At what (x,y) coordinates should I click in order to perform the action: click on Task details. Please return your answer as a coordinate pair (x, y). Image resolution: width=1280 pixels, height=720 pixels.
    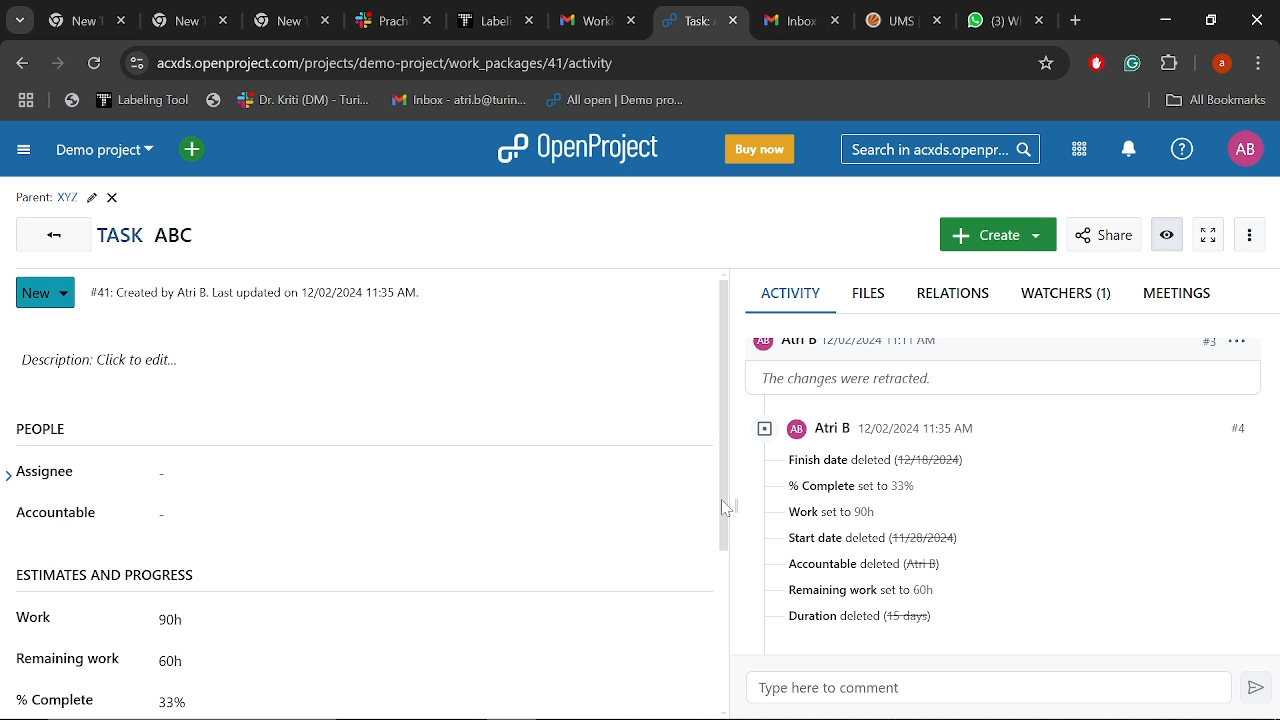
    Looking at the image, I should click on (1026, 548).